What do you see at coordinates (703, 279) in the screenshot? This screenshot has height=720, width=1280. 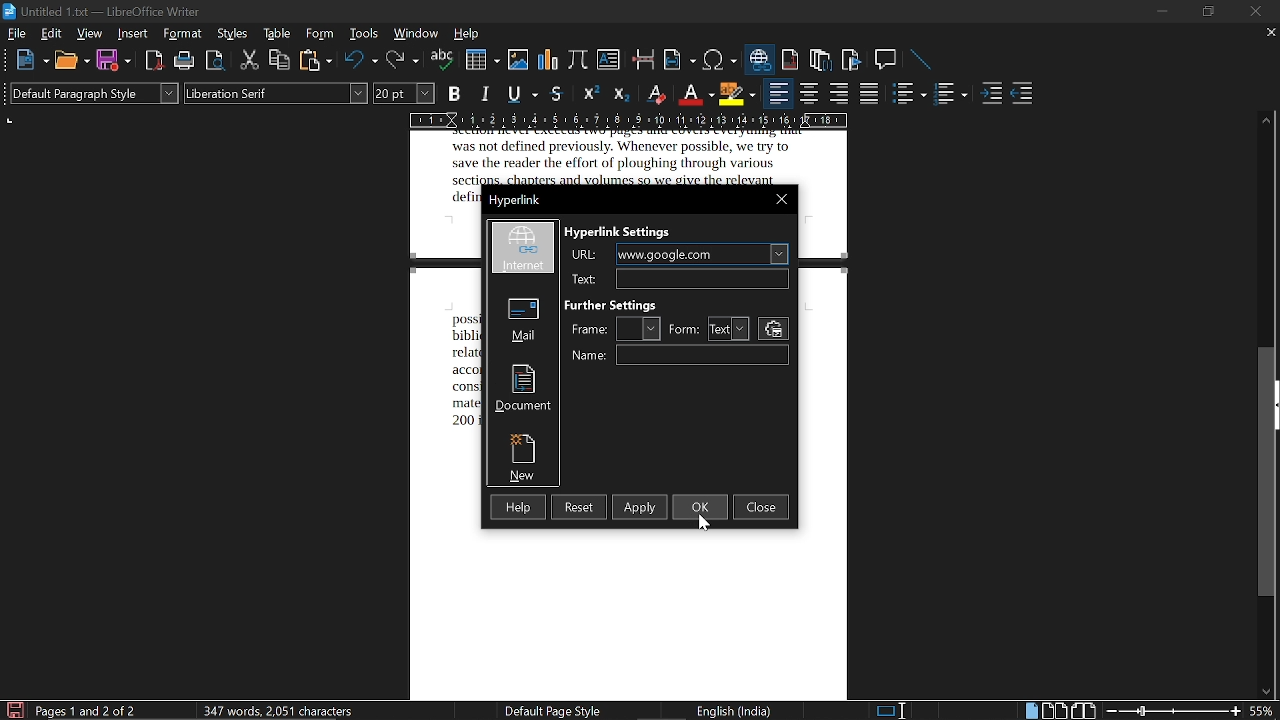 I see `text` at bounding box center [703, 279].